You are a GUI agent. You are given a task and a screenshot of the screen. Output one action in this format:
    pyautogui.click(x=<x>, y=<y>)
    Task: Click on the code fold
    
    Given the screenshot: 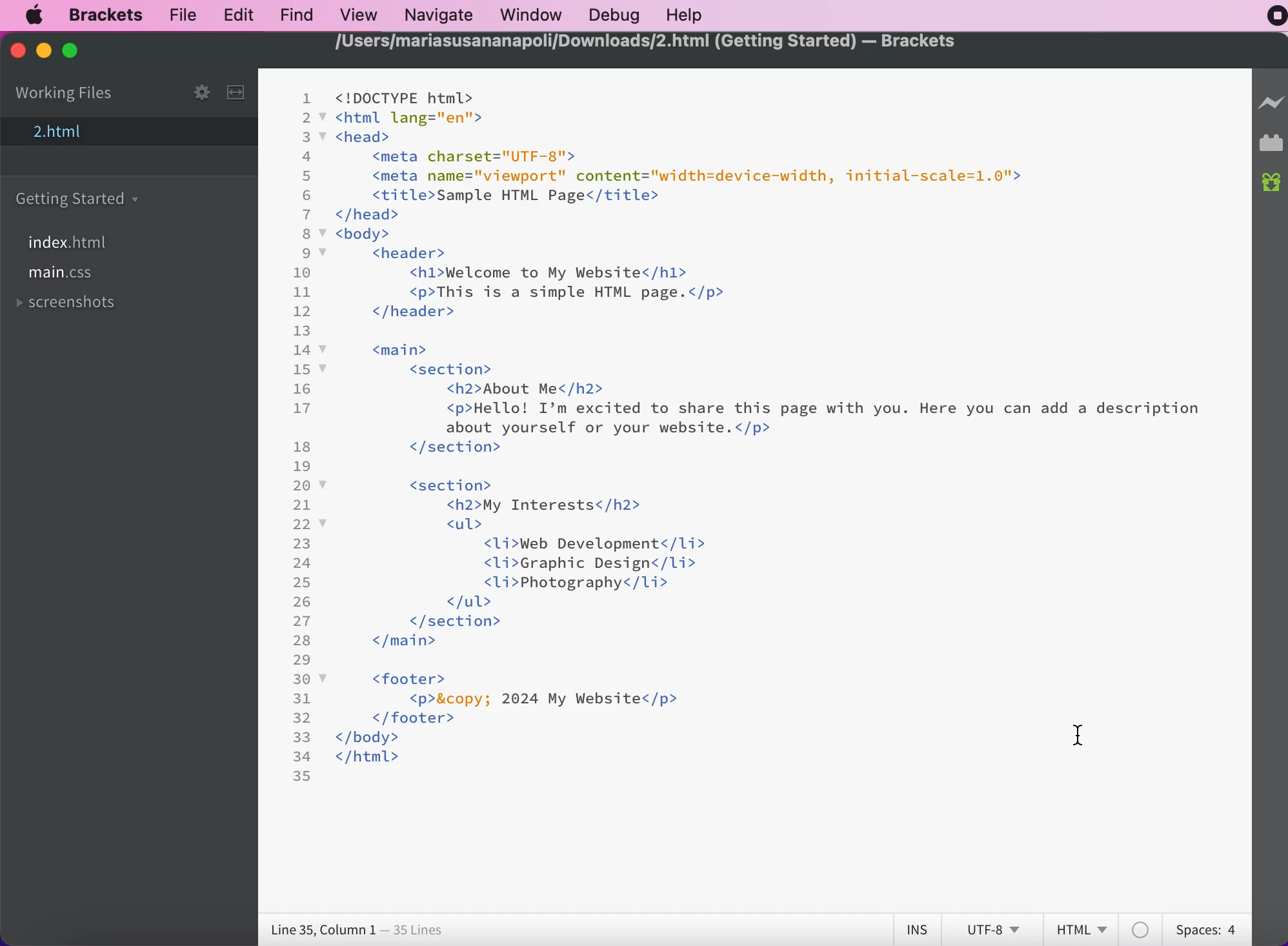 What is the action you would take?
    pyautogui.click(x=324, y=116)
    